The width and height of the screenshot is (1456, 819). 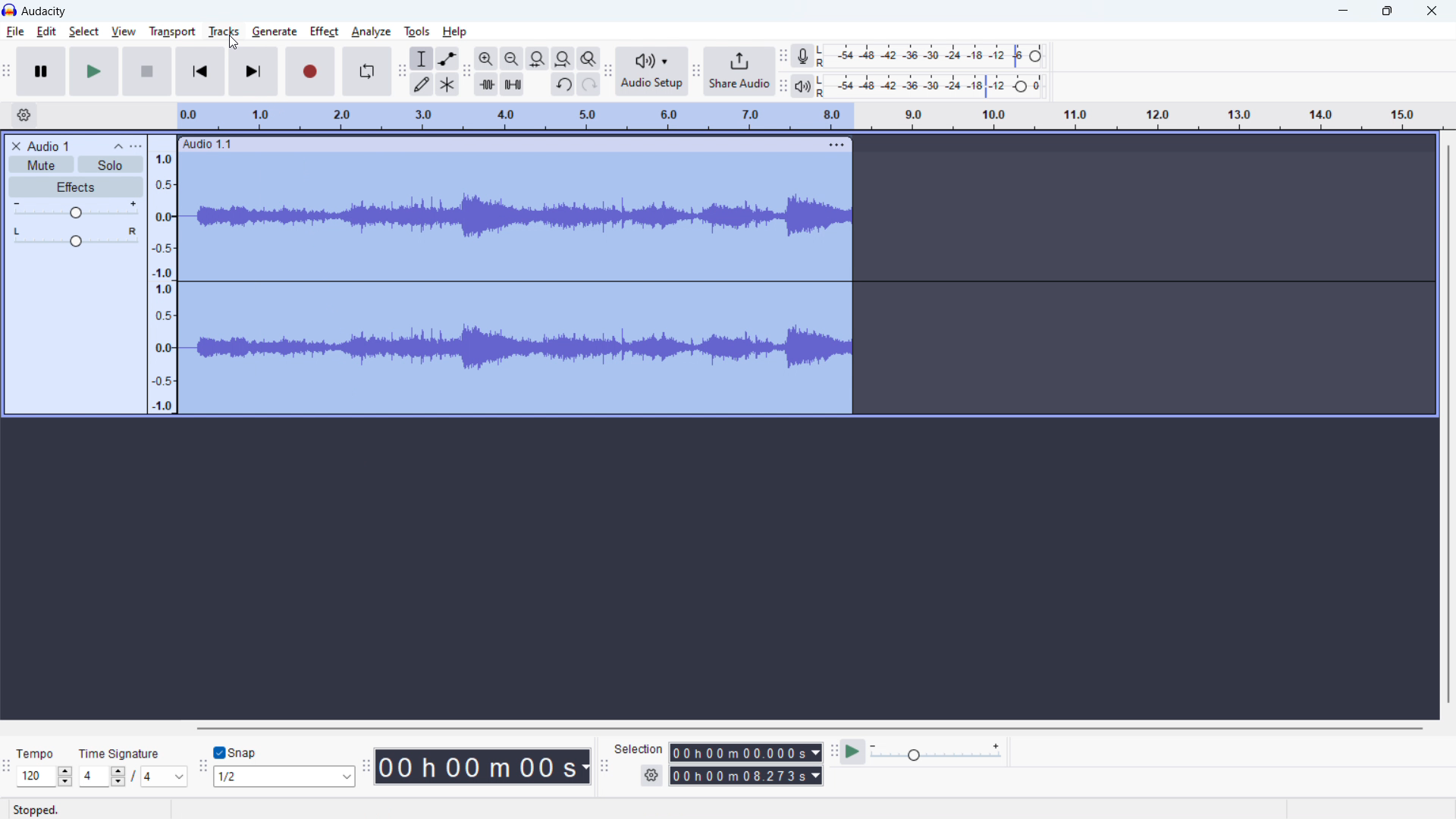 What do you see at coordinates (44, 11) in the screenshot?
I see `title` at bounding box center [44, 11].